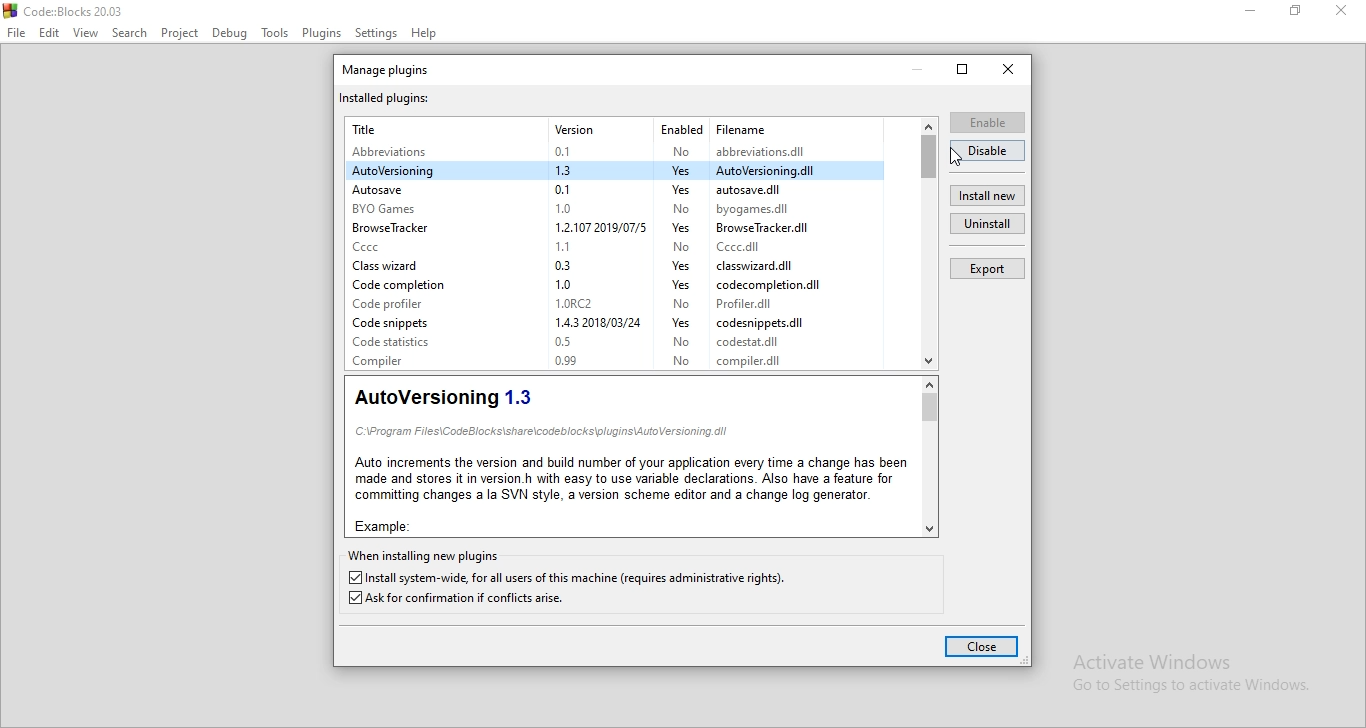 This screenshot has width=1366, height=728. Describe the element at coordinates (390, 69) in the screenshot. I see `manage plugins` at that location.